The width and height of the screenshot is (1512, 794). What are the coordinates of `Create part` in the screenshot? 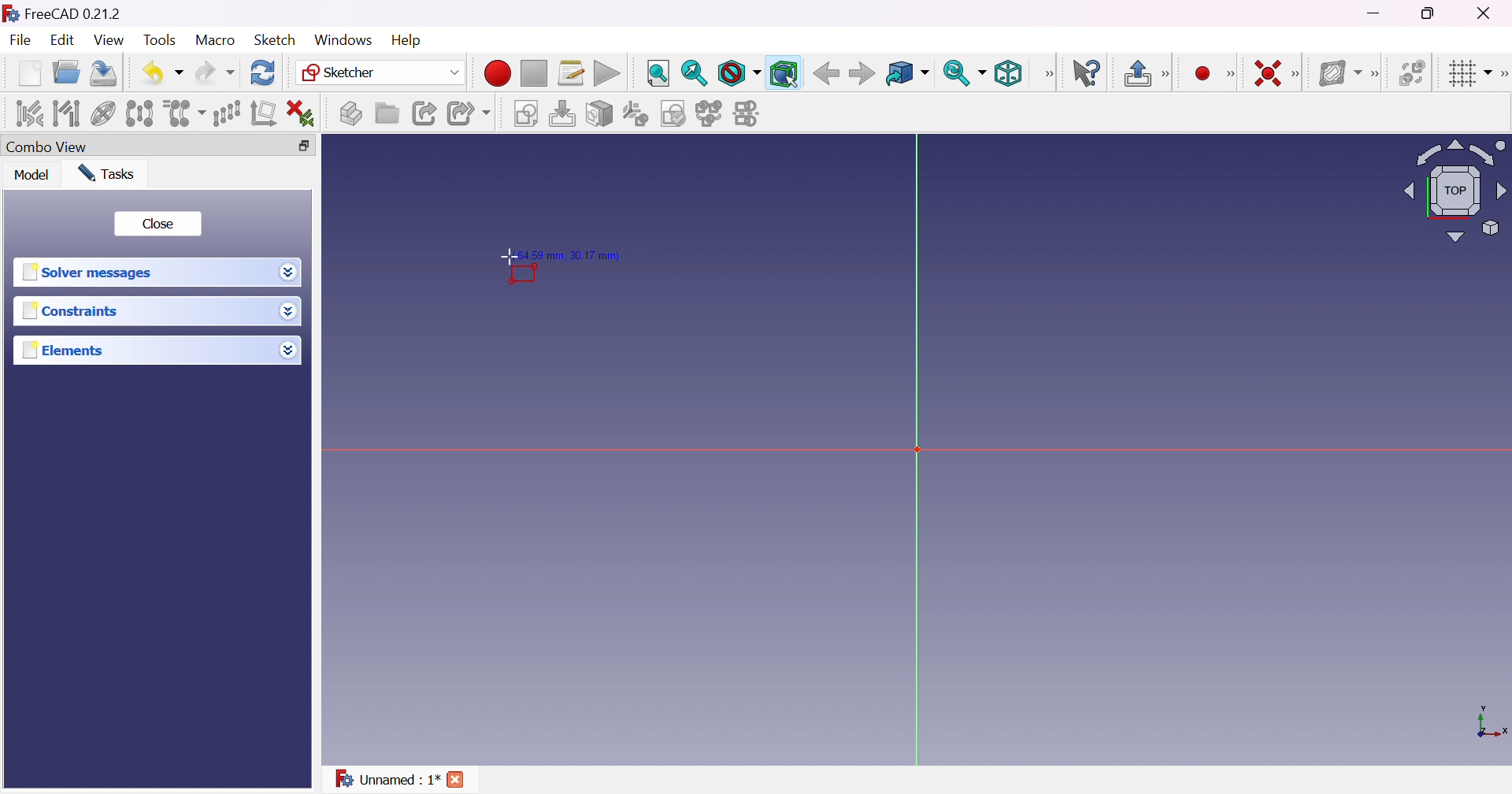 It's located at (350, 112).